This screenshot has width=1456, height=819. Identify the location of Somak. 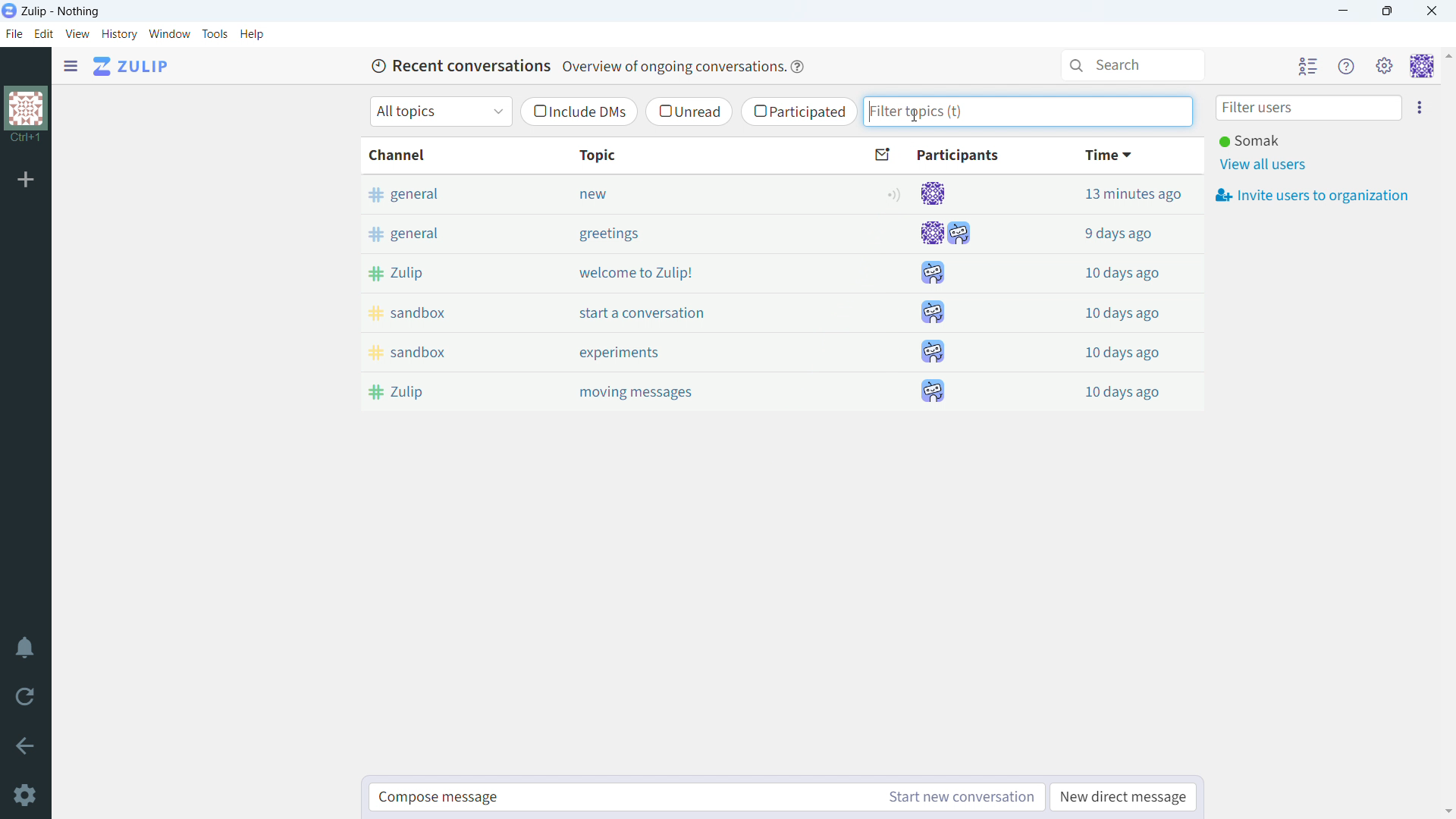
(1248, 140).